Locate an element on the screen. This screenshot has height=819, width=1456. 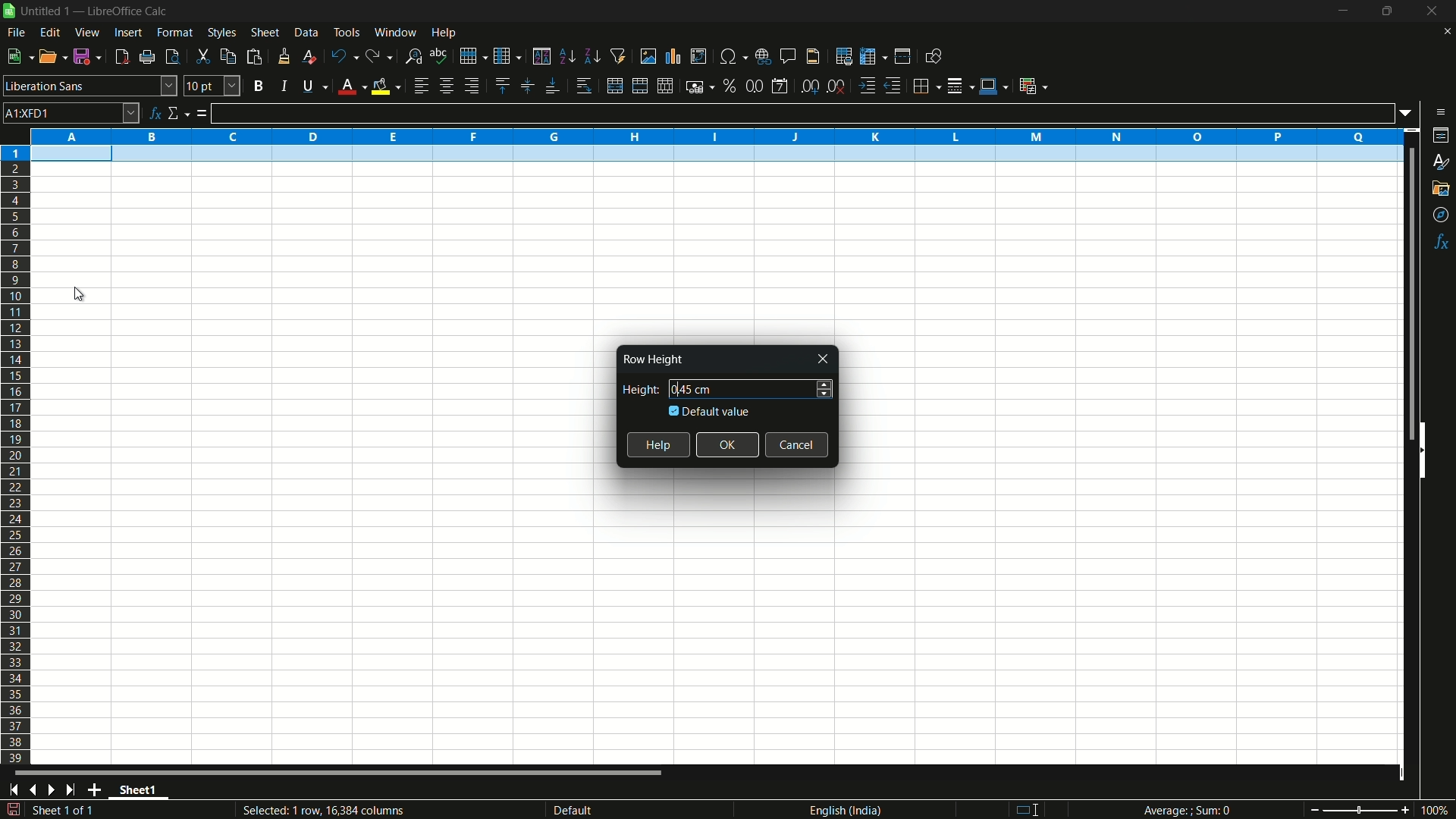
paste is located at coordinates (254, 57).